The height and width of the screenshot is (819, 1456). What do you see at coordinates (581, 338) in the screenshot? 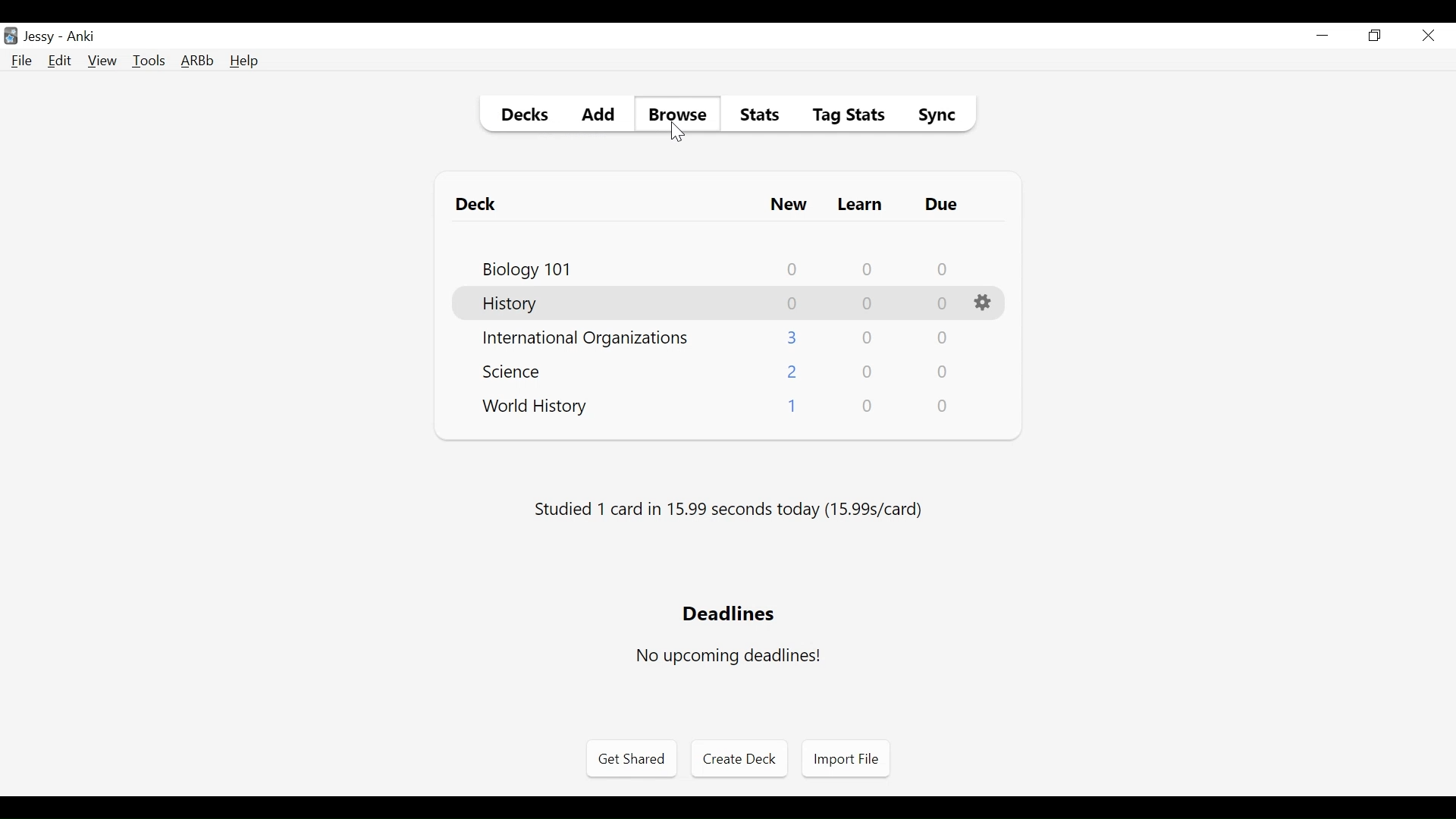
I see `Deck Name` at bounding box center [581, 338].